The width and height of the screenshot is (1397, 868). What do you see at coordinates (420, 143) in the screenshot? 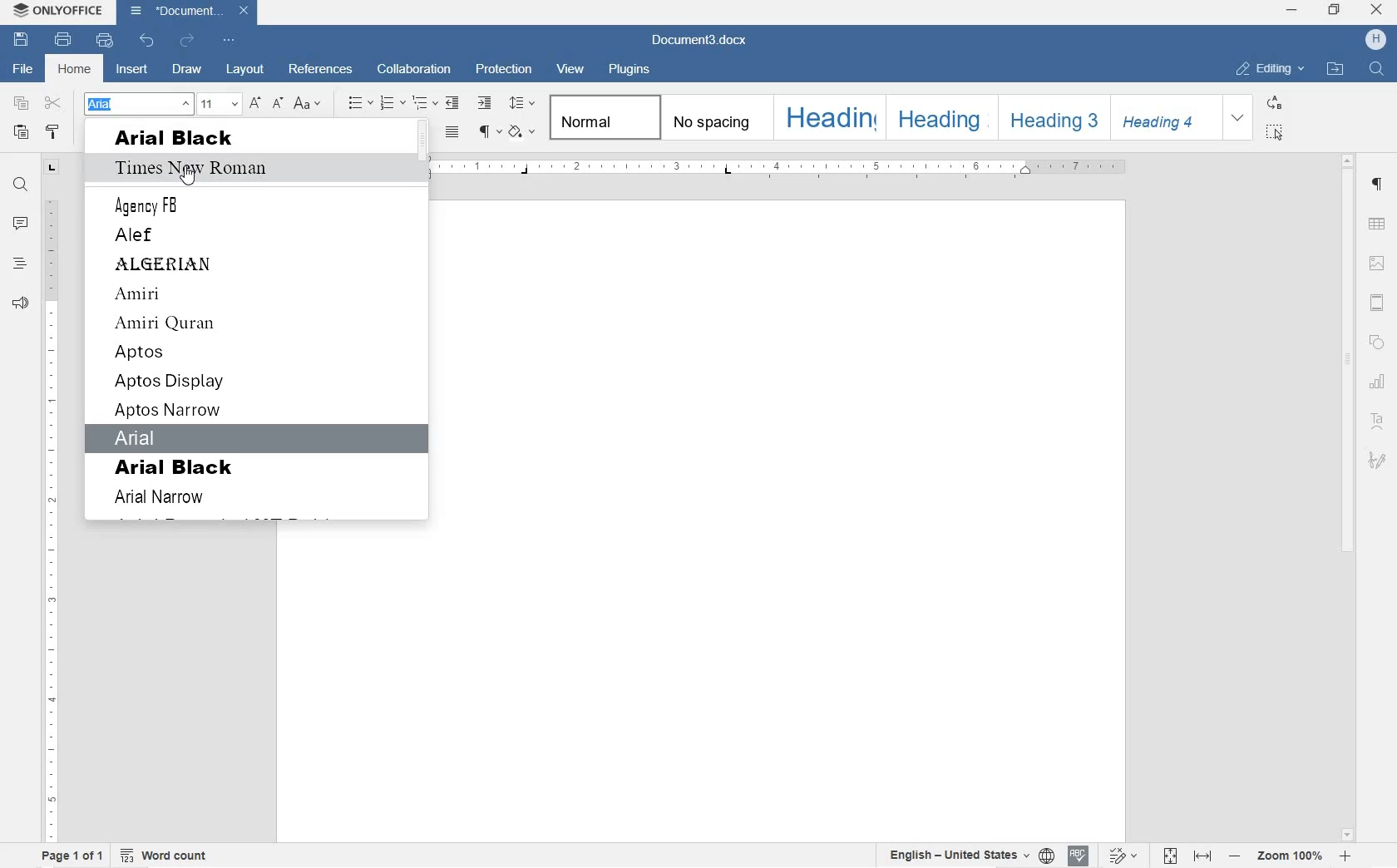
I see `scrollbar` at bounding box center [420, 143].